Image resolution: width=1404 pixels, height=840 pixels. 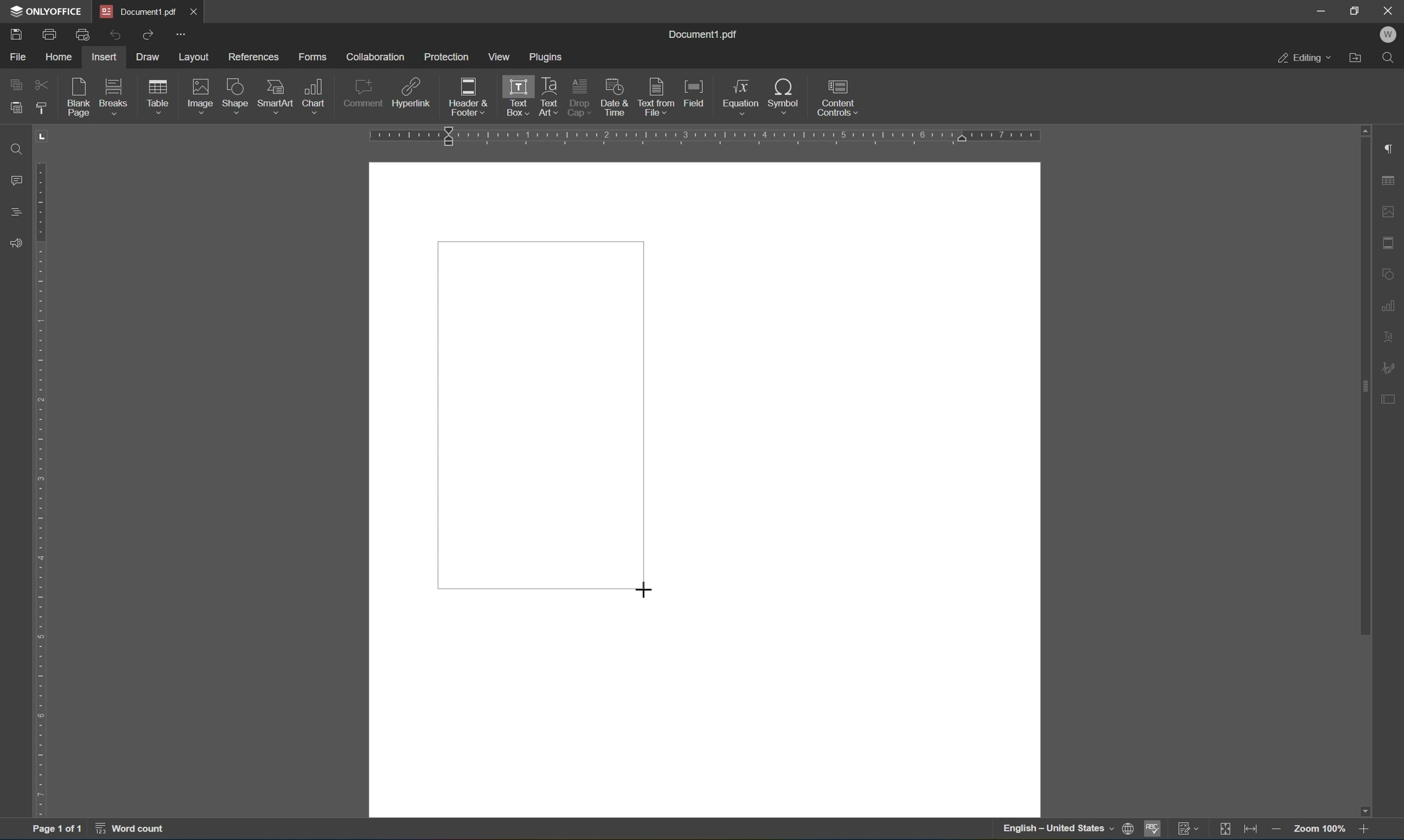 I want to click on equation, so click(x=741, y=97).